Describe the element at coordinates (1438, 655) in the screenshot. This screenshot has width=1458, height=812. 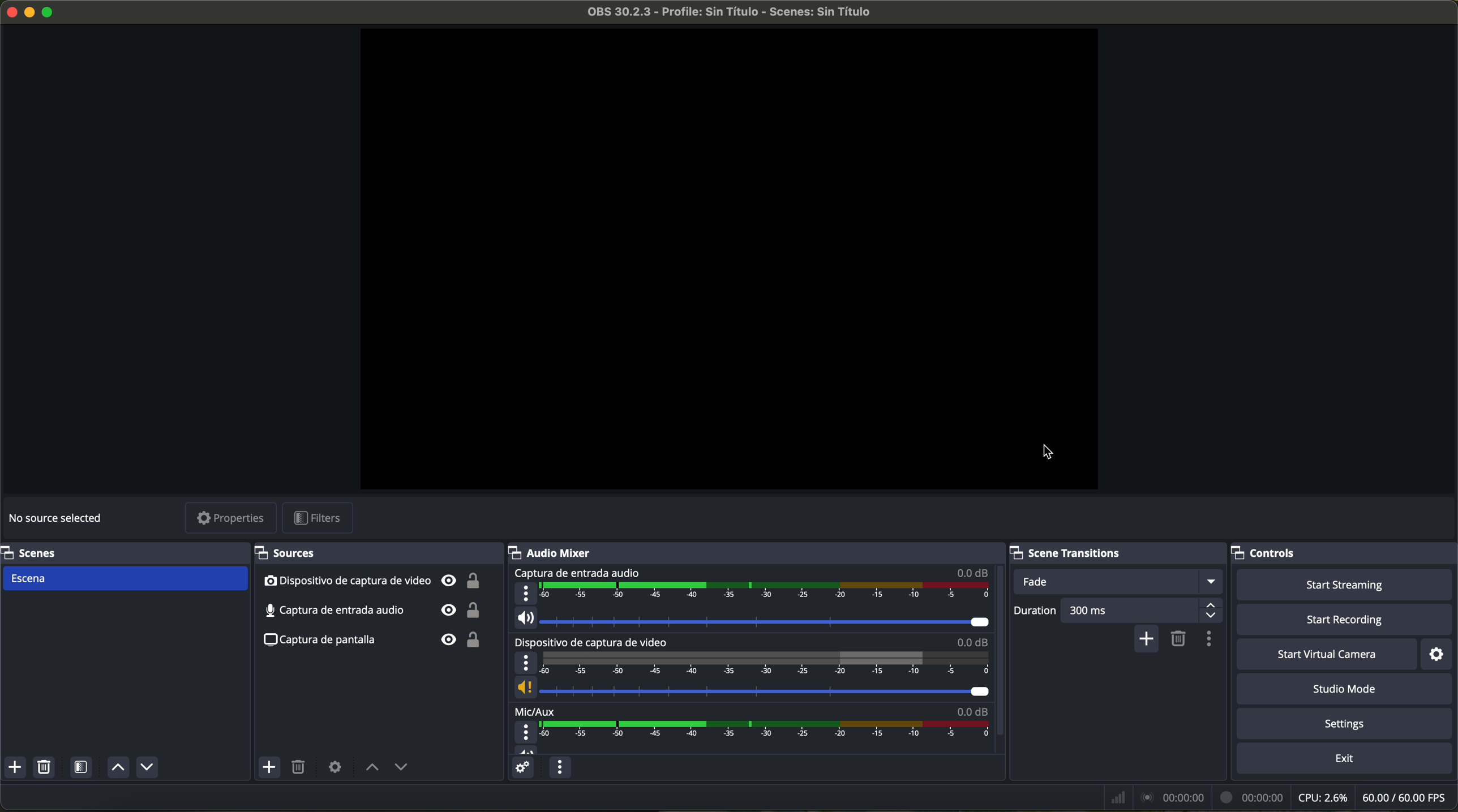
I see `settings` at that location.